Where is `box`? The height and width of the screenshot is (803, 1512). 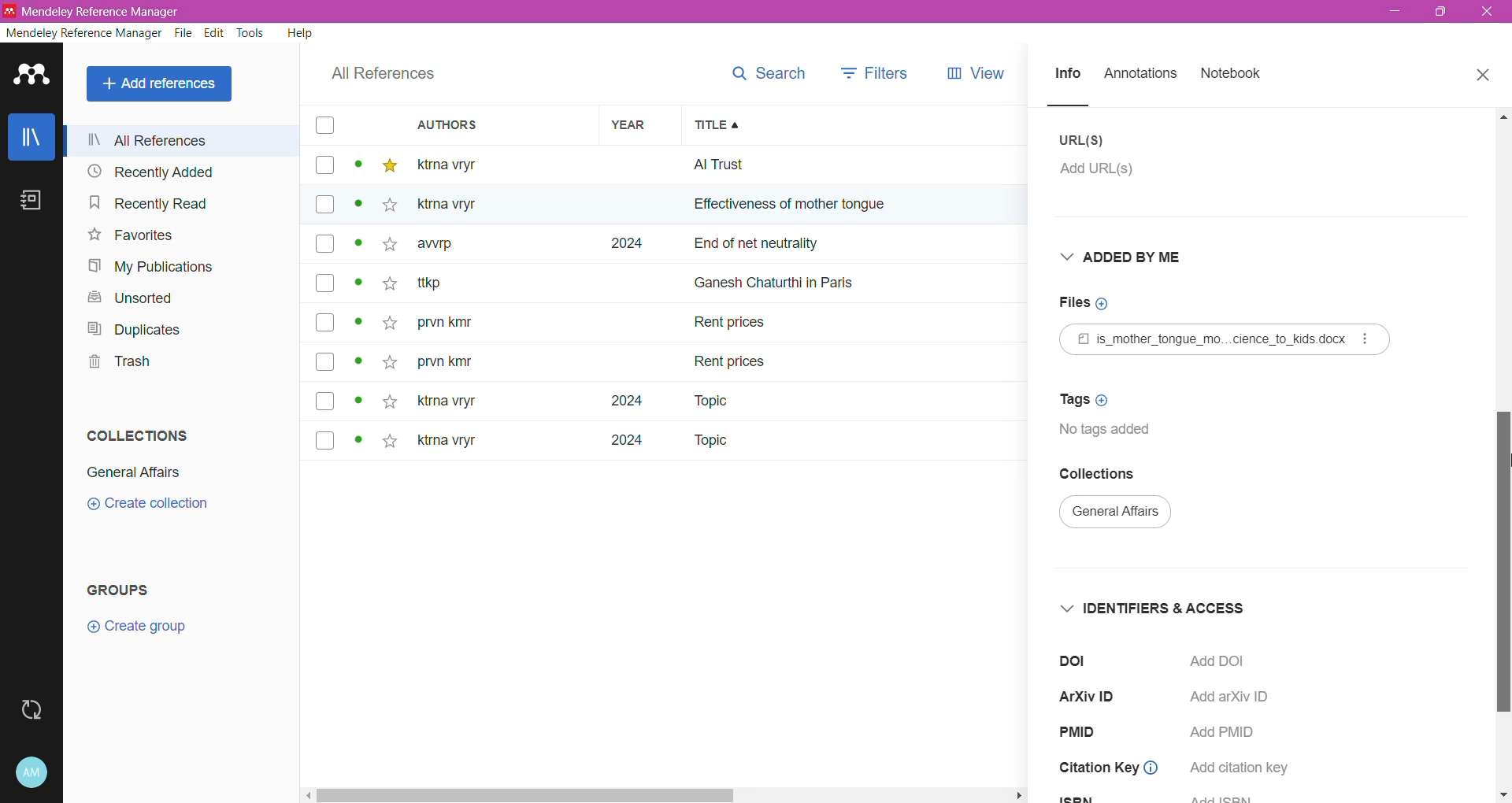
box is located at coordinates (330, 401).